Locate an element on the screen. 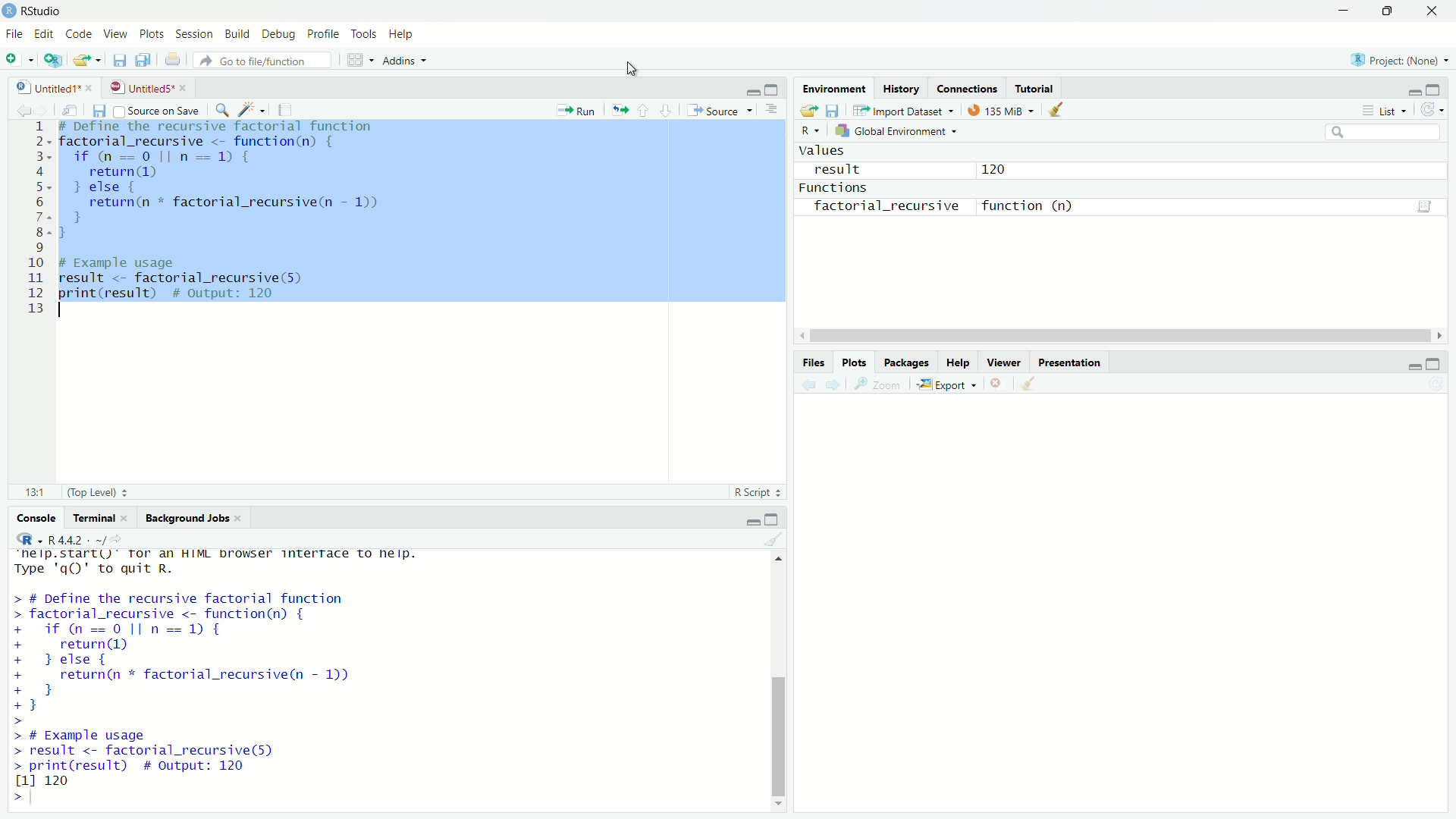 The image size is (1456, 819). Plots is located at coordinates (151, 33).